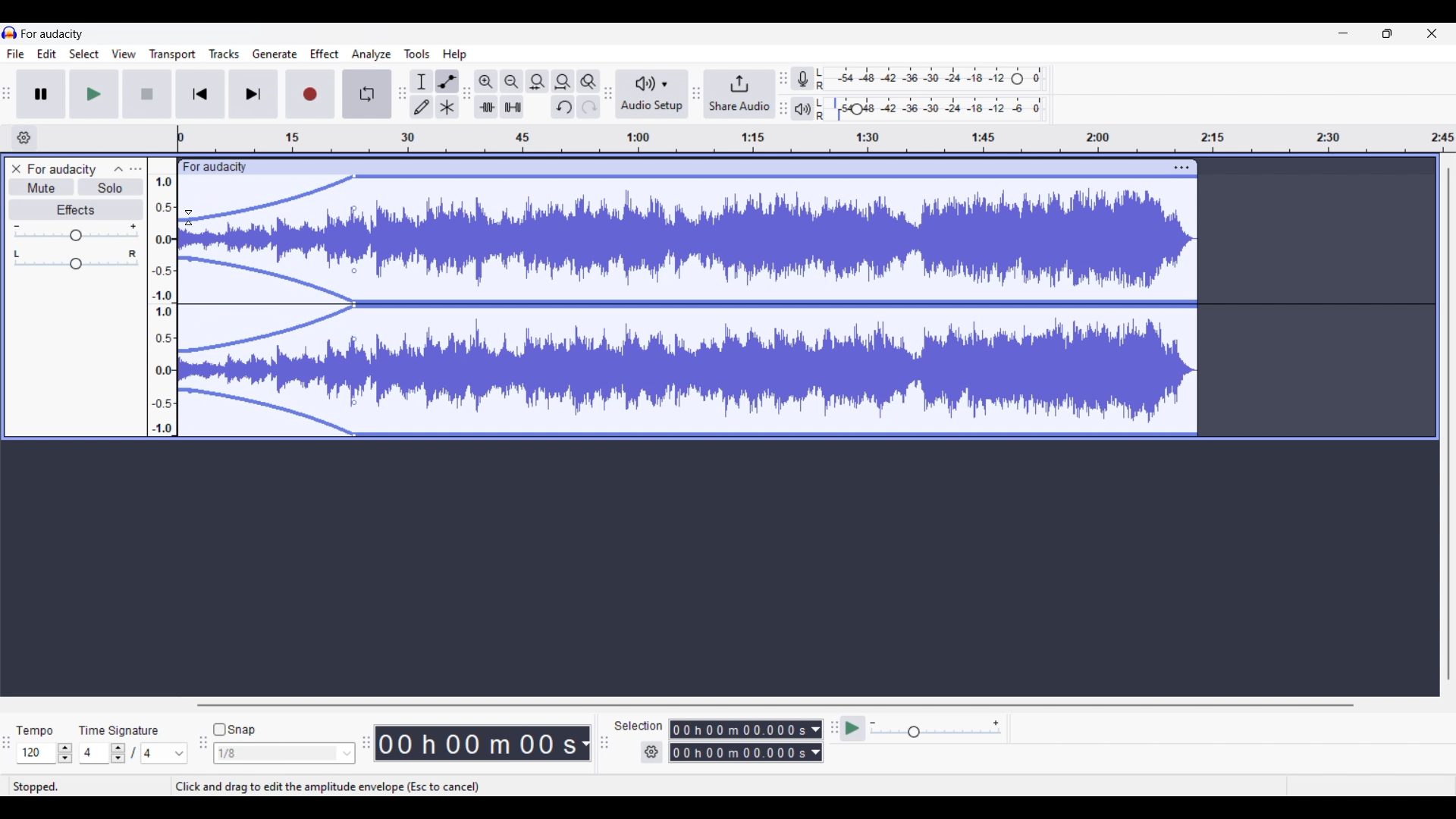  I want to click on Playback speed settings, so click(936, 728).